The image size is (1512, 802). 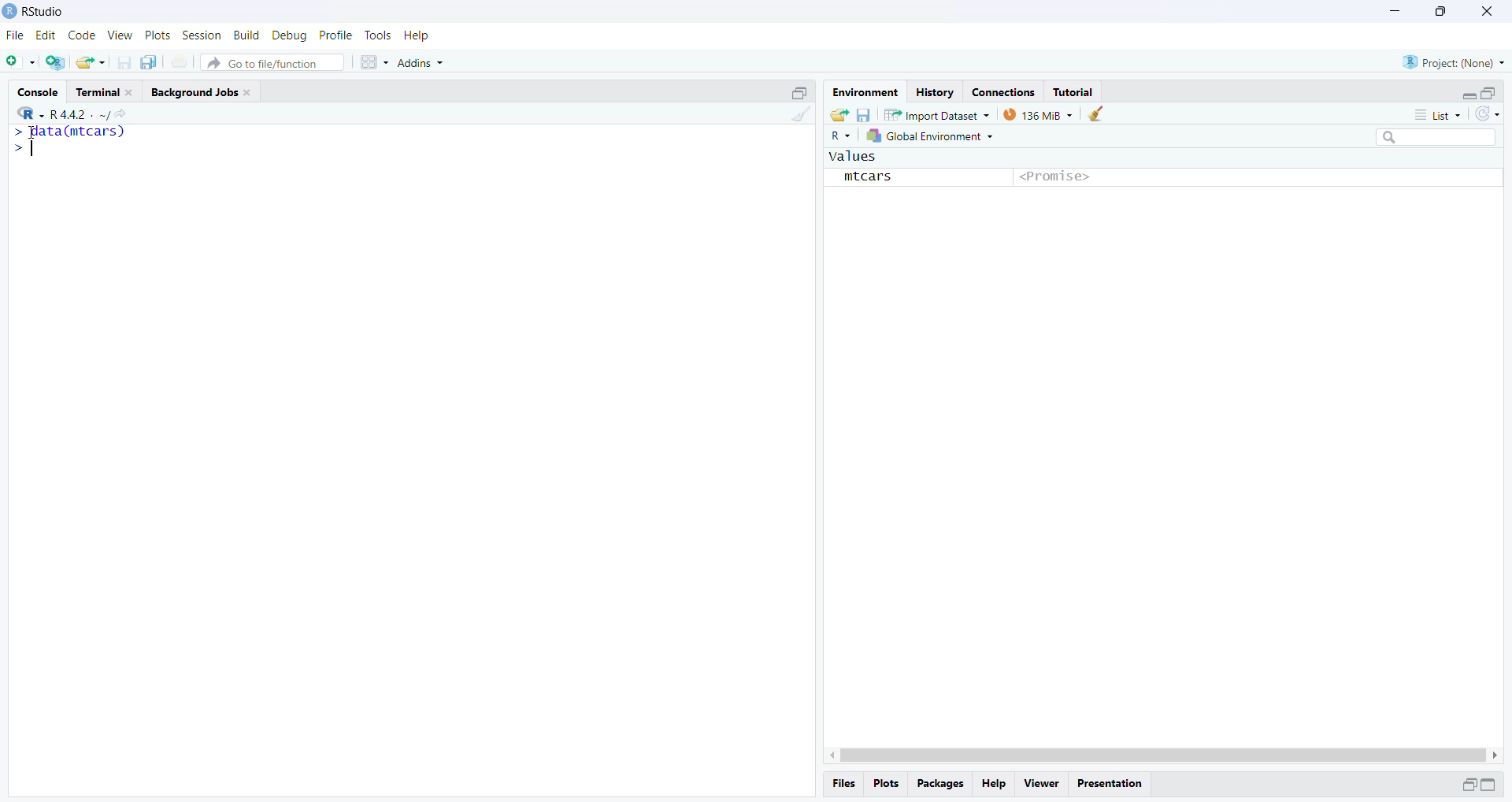 I want to click on View, so click(x=1040, y=782).